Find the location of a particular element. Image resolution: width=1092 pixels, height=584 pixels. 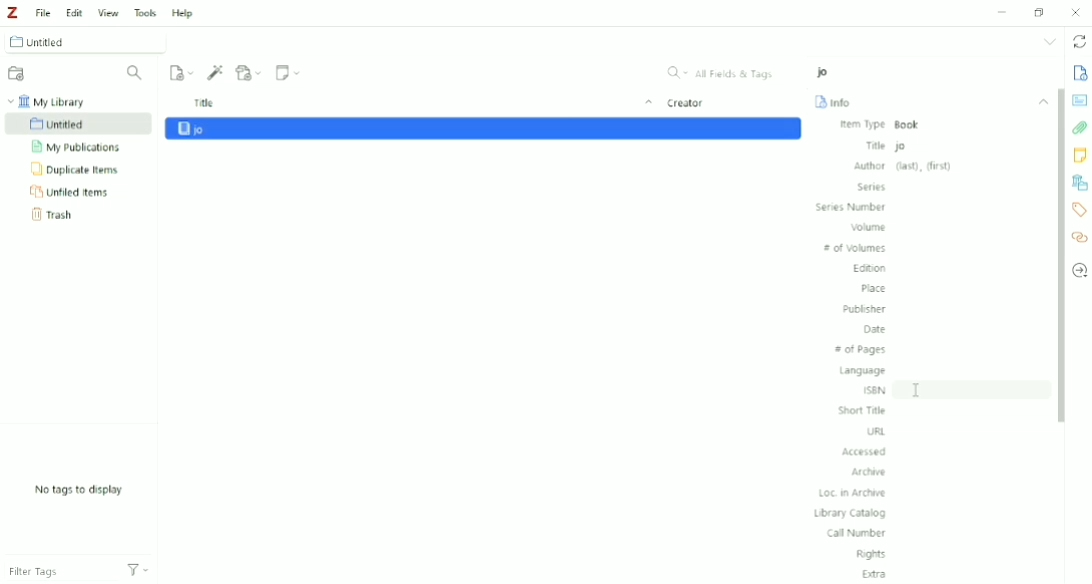

My Library is located at coordinates (55, 101).